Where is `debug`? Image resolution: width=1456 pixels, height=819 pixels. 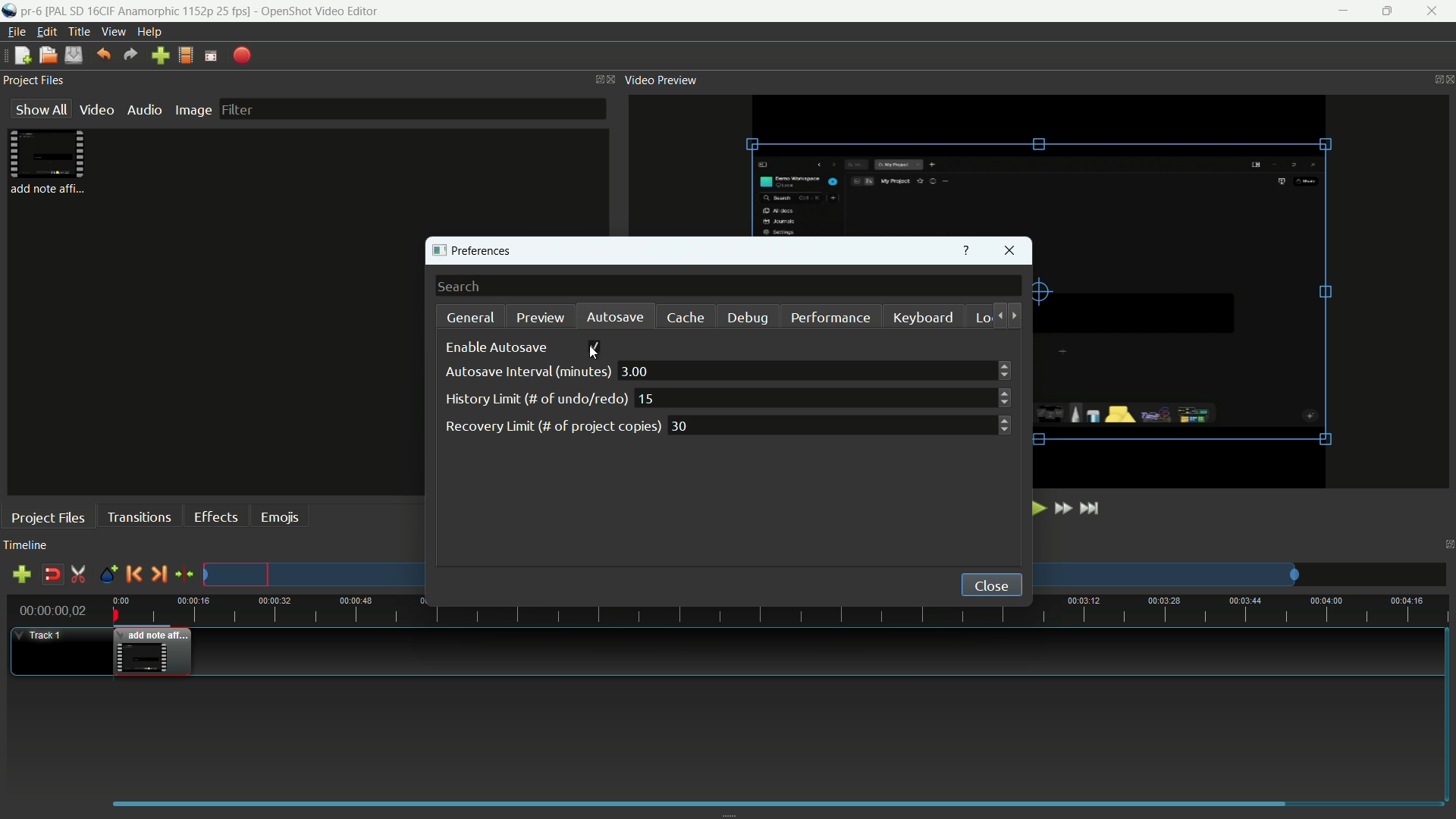 debug is located at coordinates (745, 318).